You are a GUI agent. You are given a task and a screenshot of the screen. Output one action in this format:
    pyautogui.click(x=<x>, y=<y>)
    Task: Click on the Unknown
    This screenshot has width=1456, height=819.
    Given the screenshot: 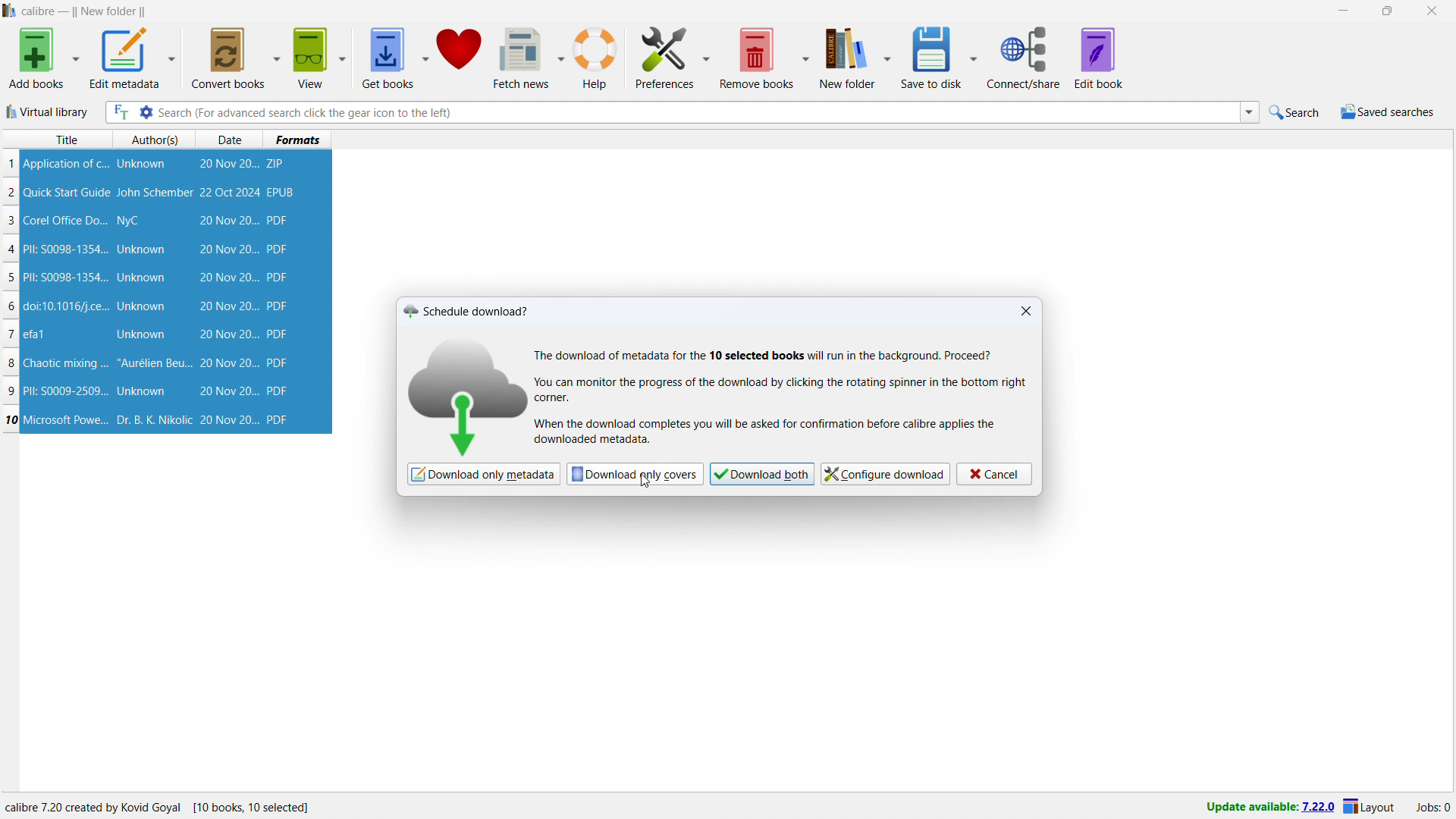 What is the action you would take?
    pyautogui.click(x=141, y=249)
    